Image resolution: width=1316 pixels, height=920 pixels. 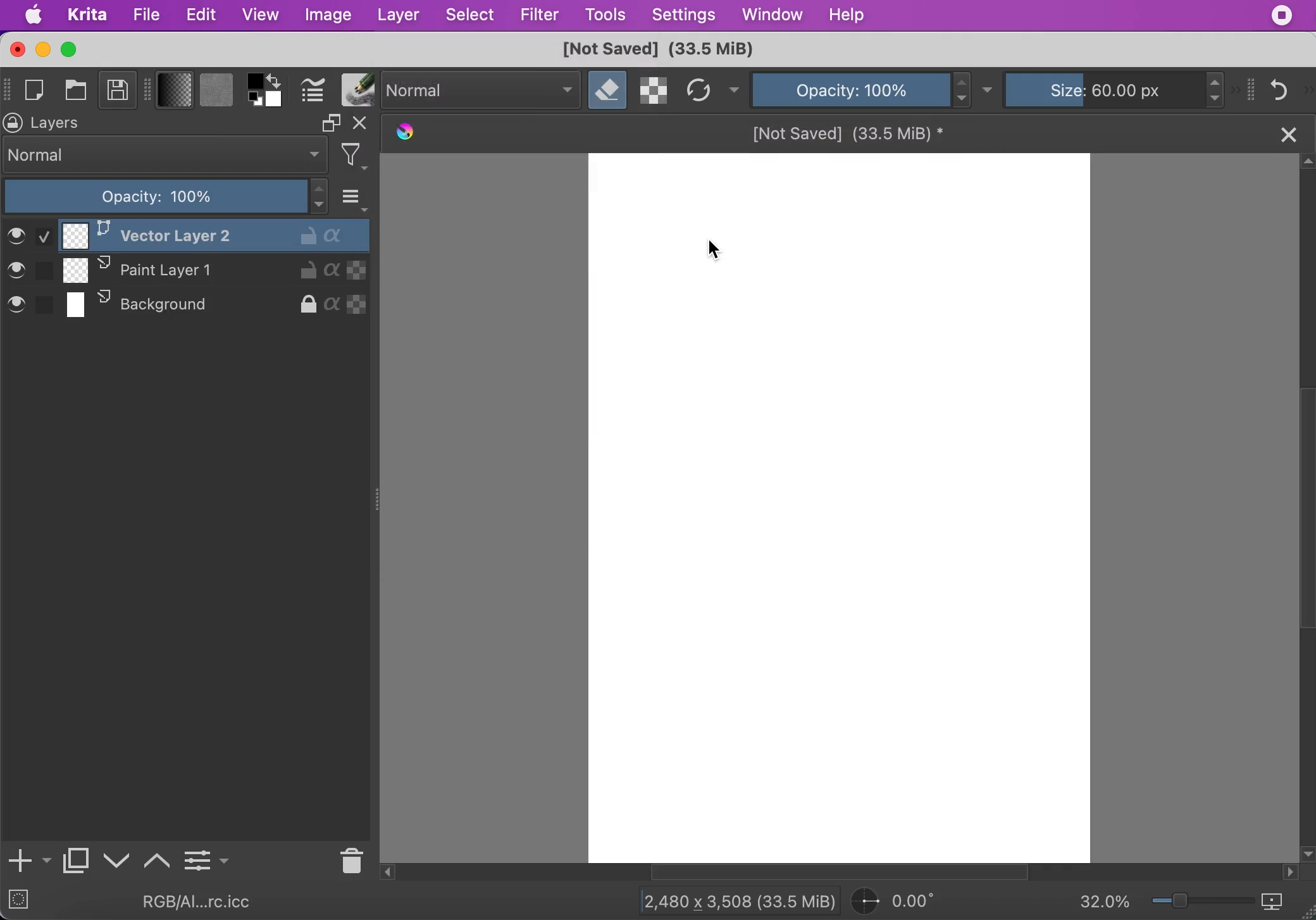 I want to click on krita, so click(x=89, y=16).